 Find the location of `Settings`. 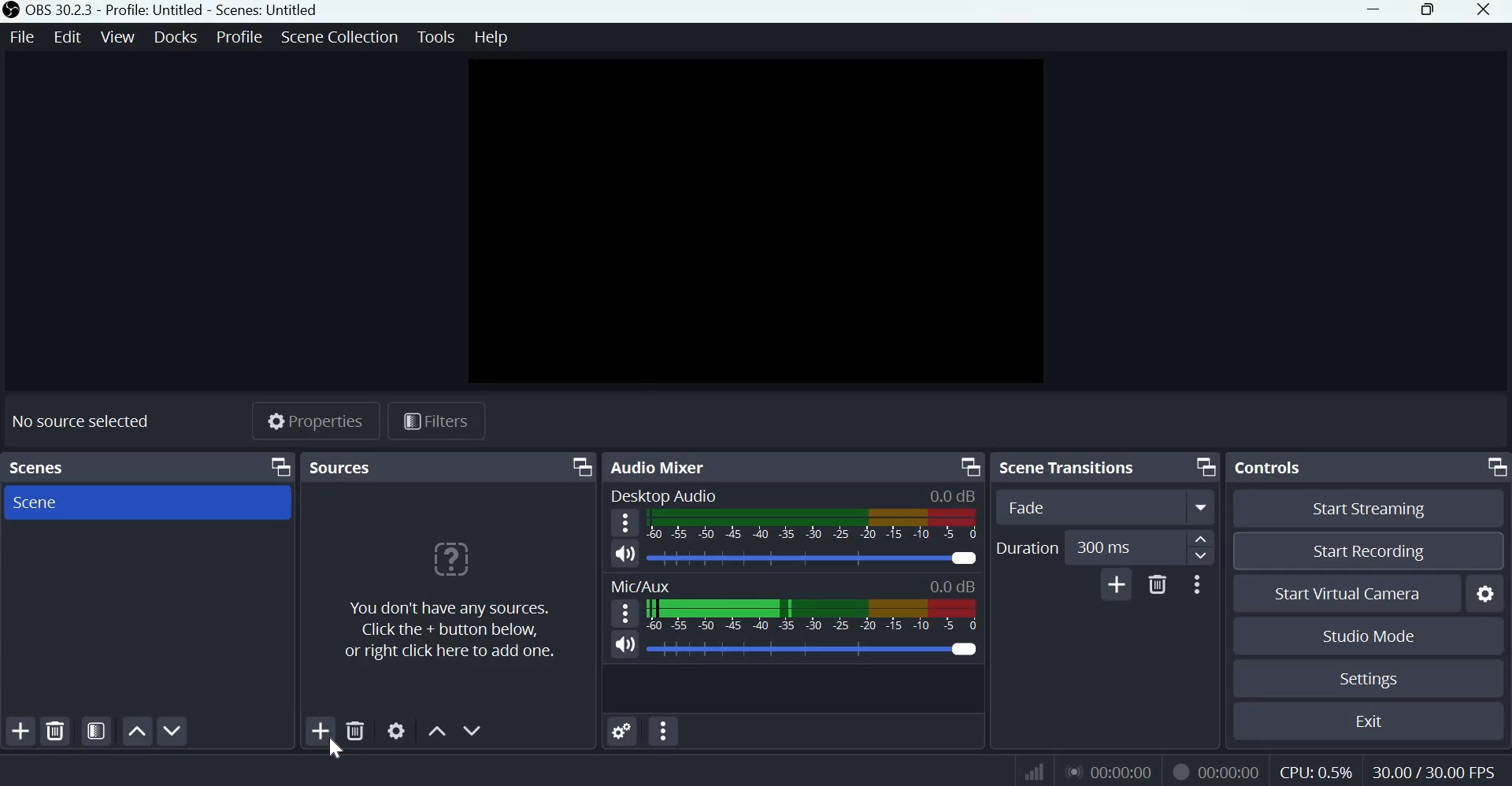

Settings is located at coordinates (1369, 679).